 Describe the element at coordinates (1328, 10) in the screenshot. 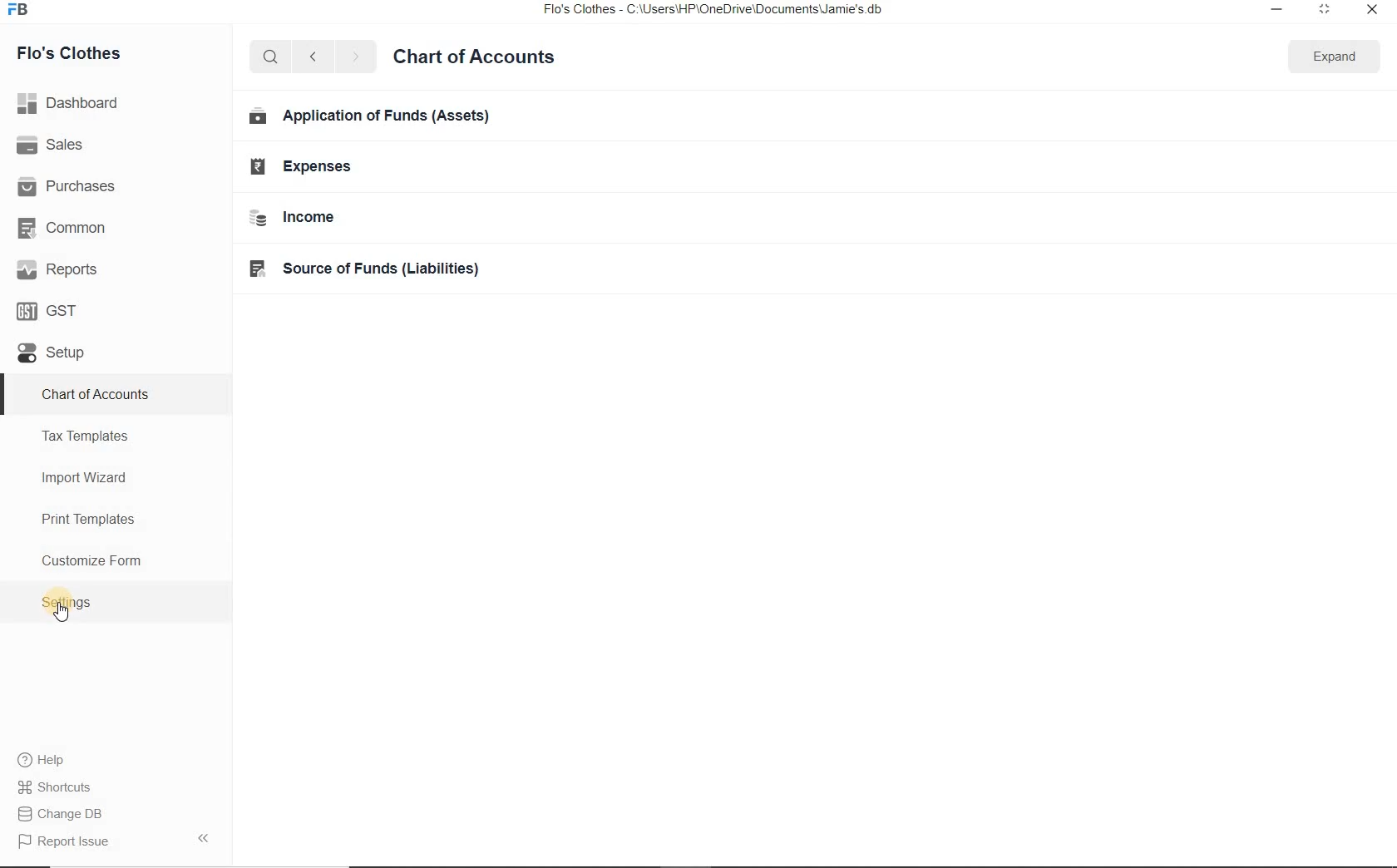

I see `restore` at that location.